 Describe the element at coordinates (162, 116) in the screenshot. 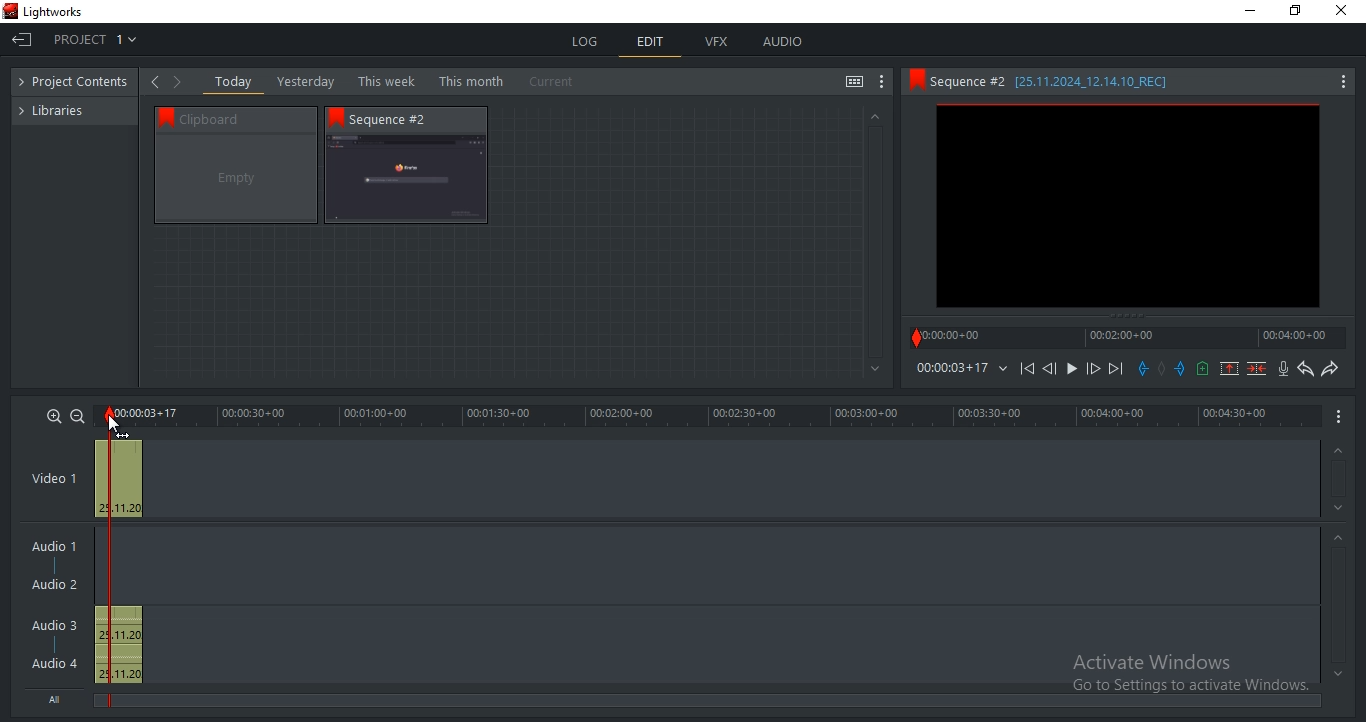

I see `Bookmark icon` at that location.